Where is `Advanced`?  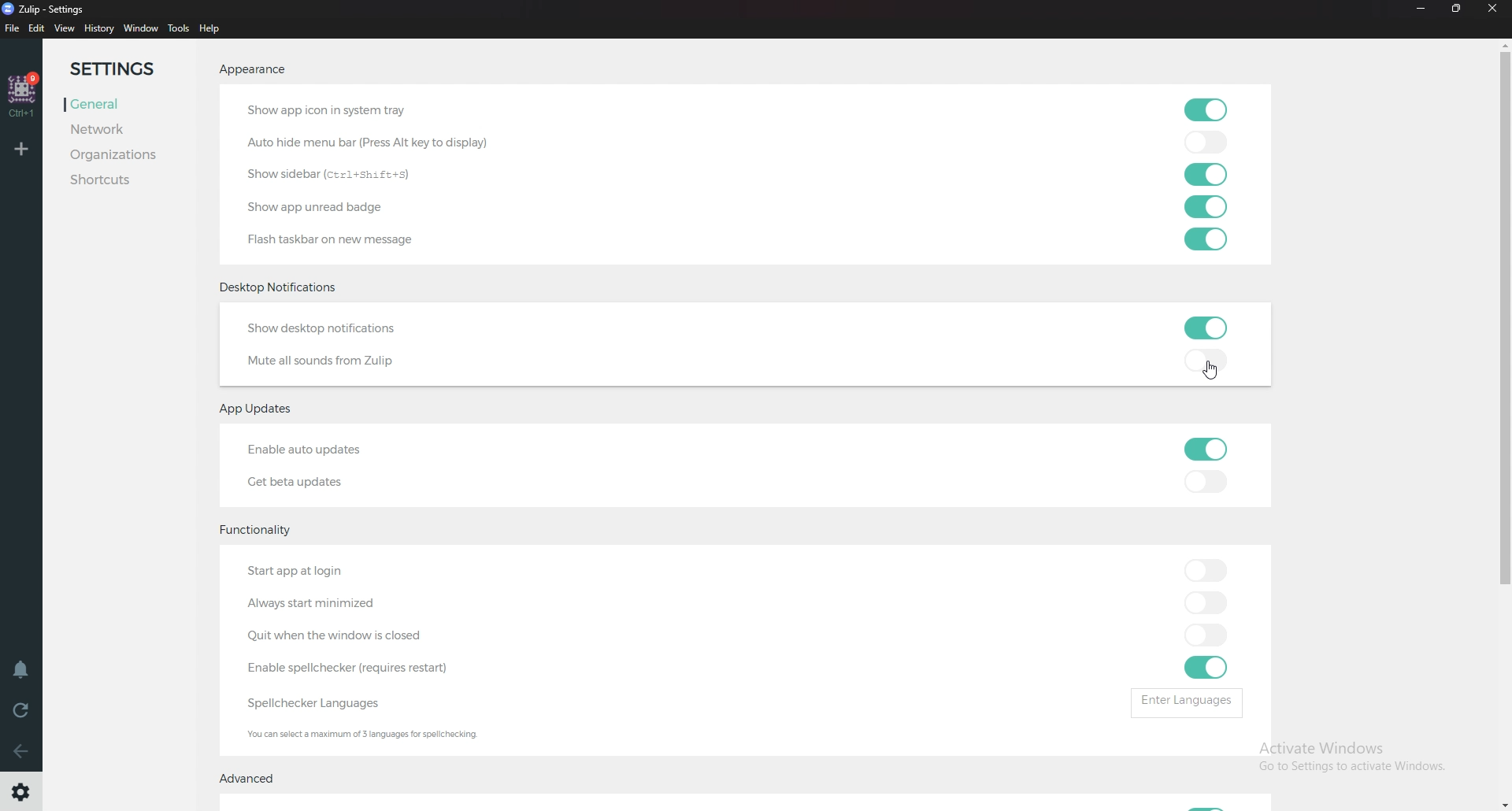 Advanced is located at coordinates (254, 781).